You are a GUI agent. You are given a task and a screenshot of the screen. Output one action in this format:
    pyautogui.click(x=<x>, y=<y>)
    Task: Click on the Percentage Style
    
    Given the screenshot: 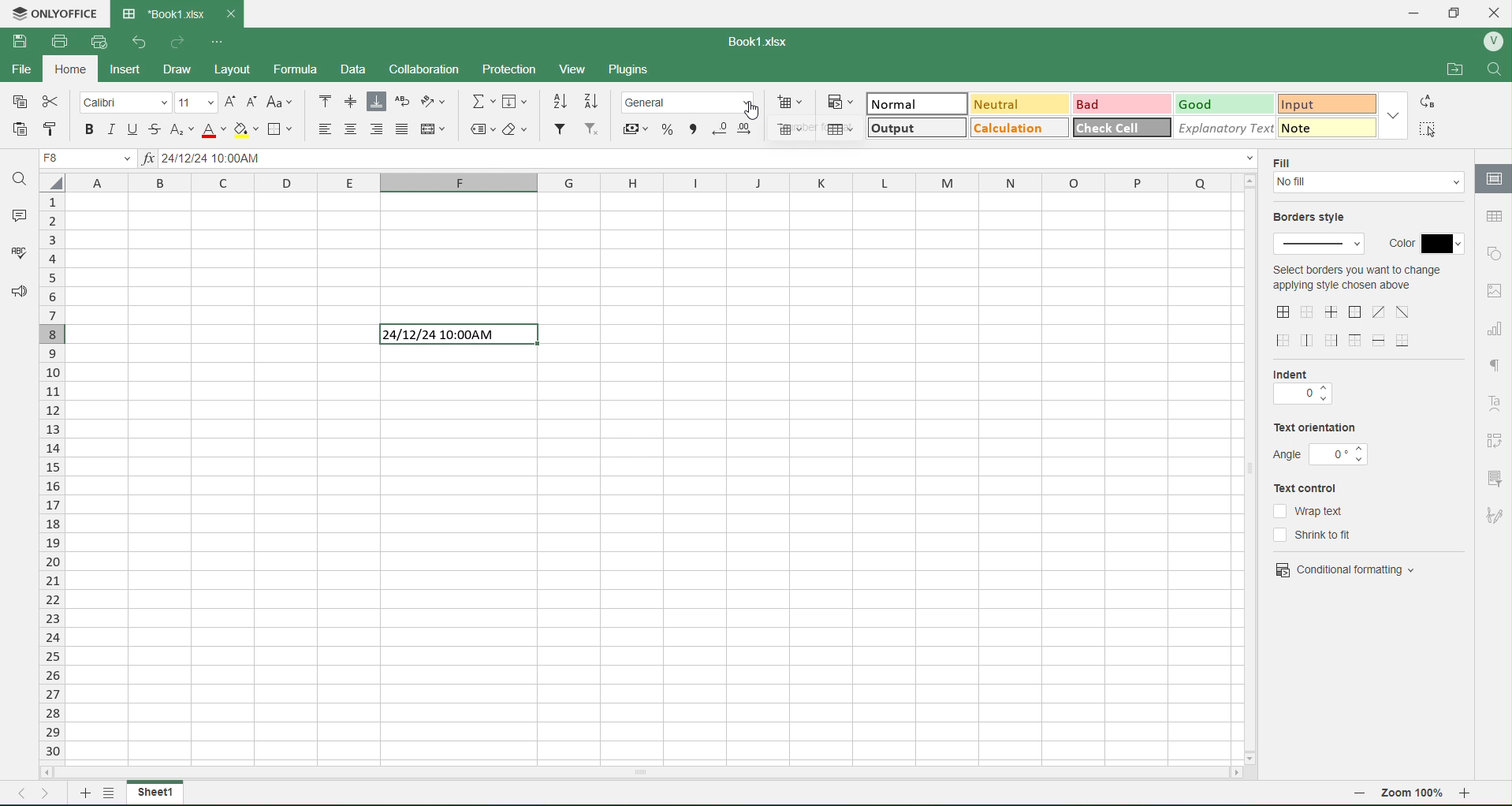 What is the action you would take?
    pyautogui.click(x=665, y=129)
    